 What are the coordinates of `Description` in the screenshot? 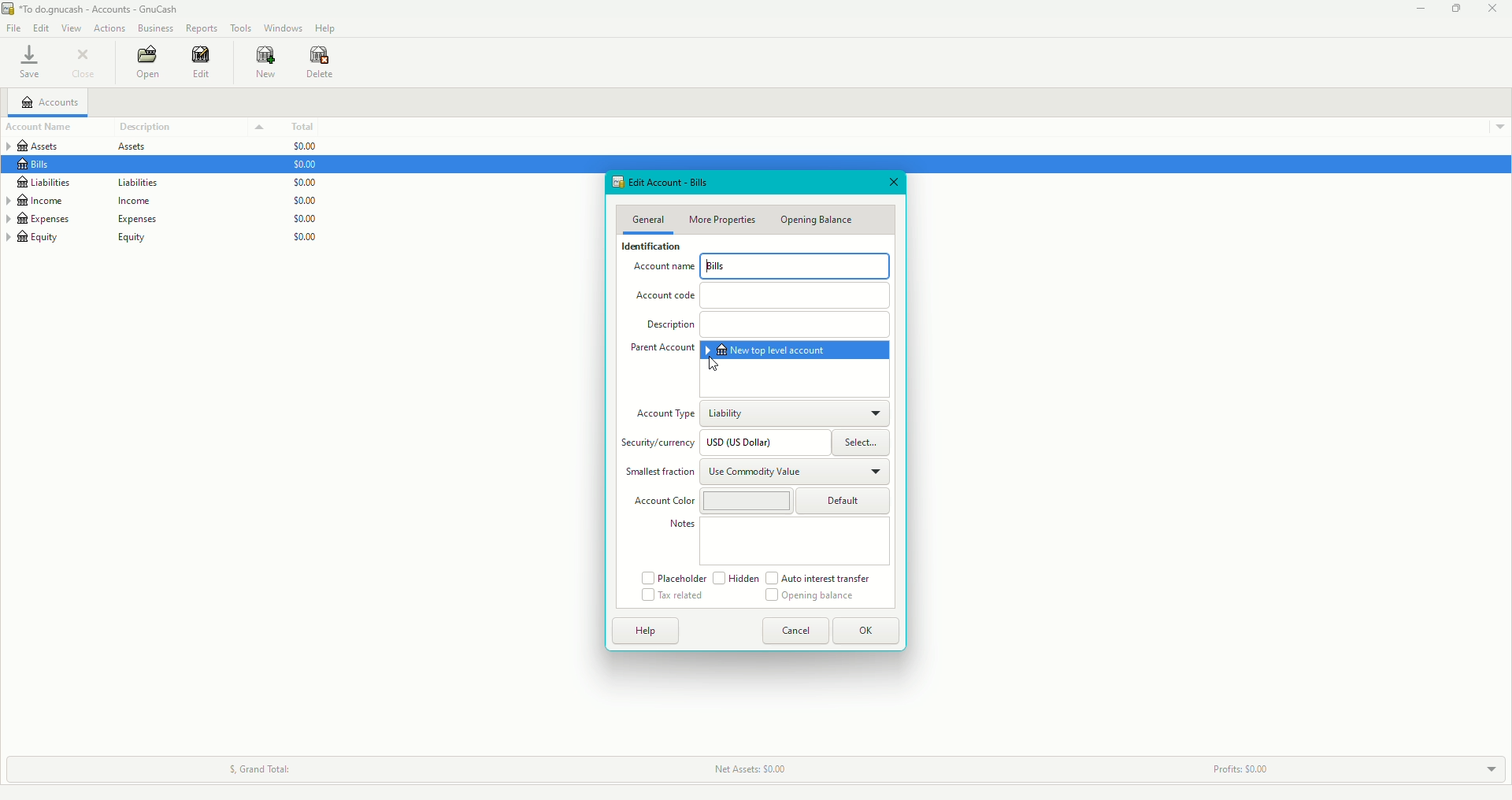 It's located at (767, 323).